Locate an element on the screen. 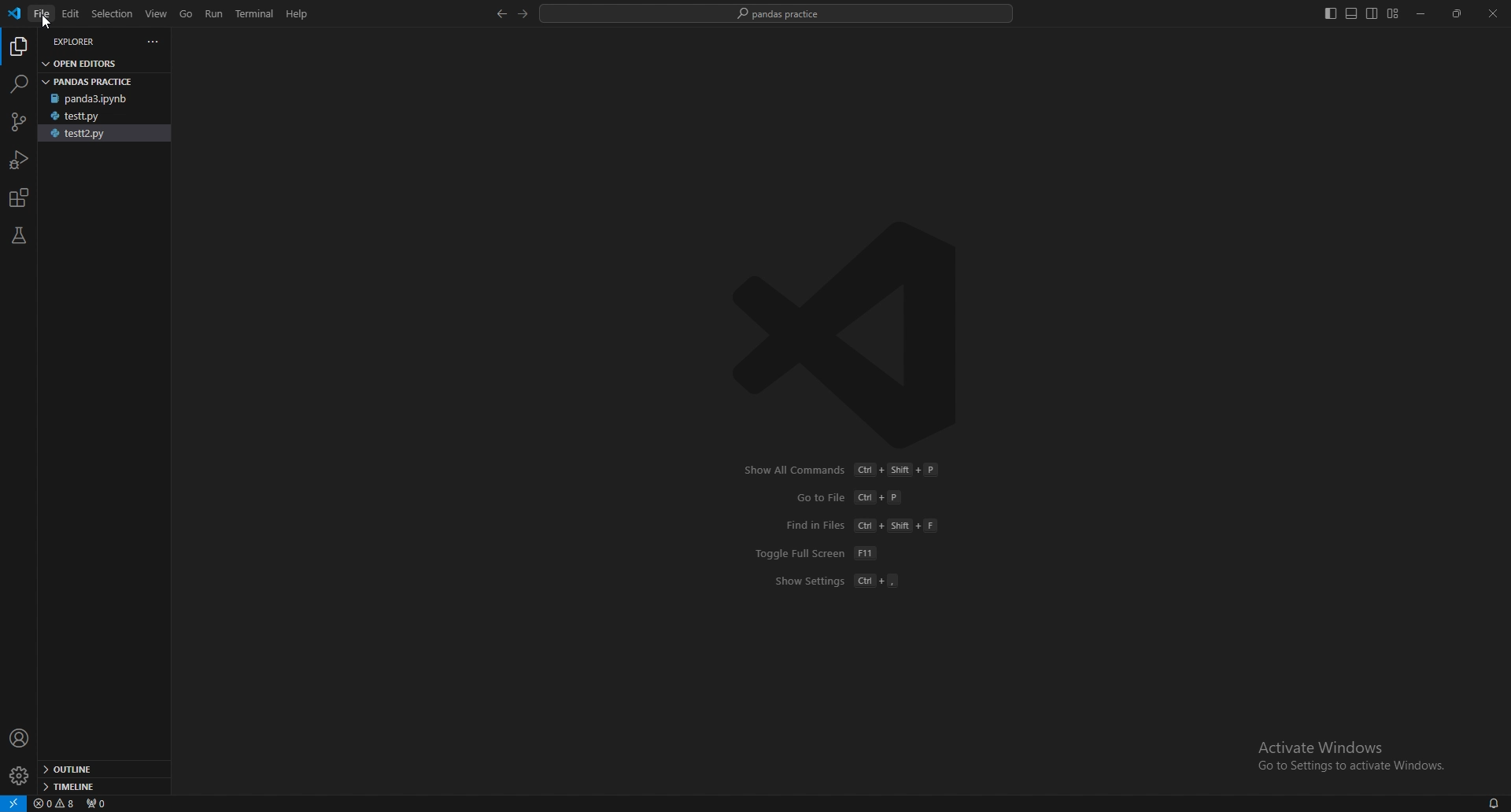 The height and width of the screenshot is (812, 1511). go is located at coordinates (186, 15).